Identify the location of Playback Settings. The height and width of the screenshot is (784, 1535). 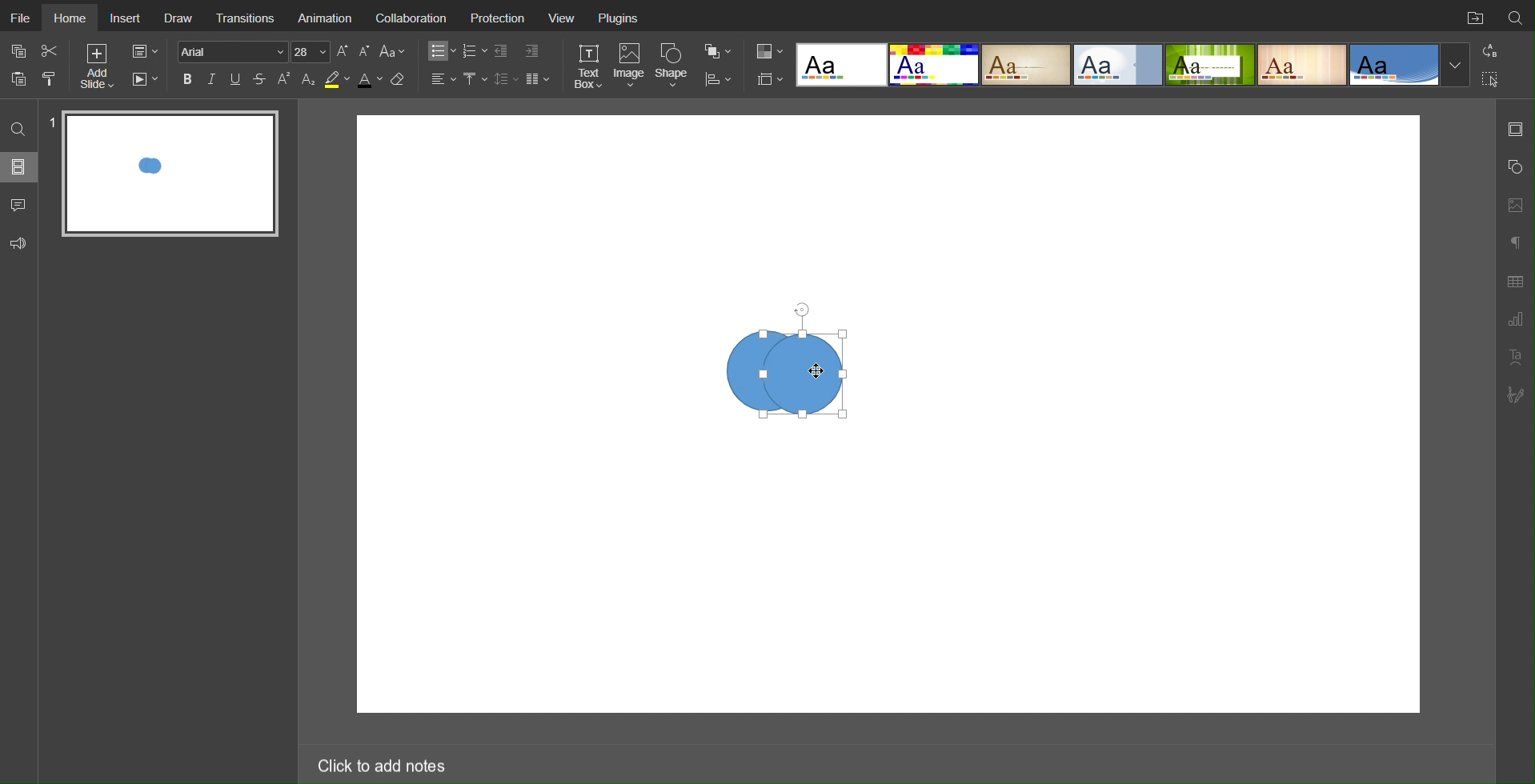
(145, 79).